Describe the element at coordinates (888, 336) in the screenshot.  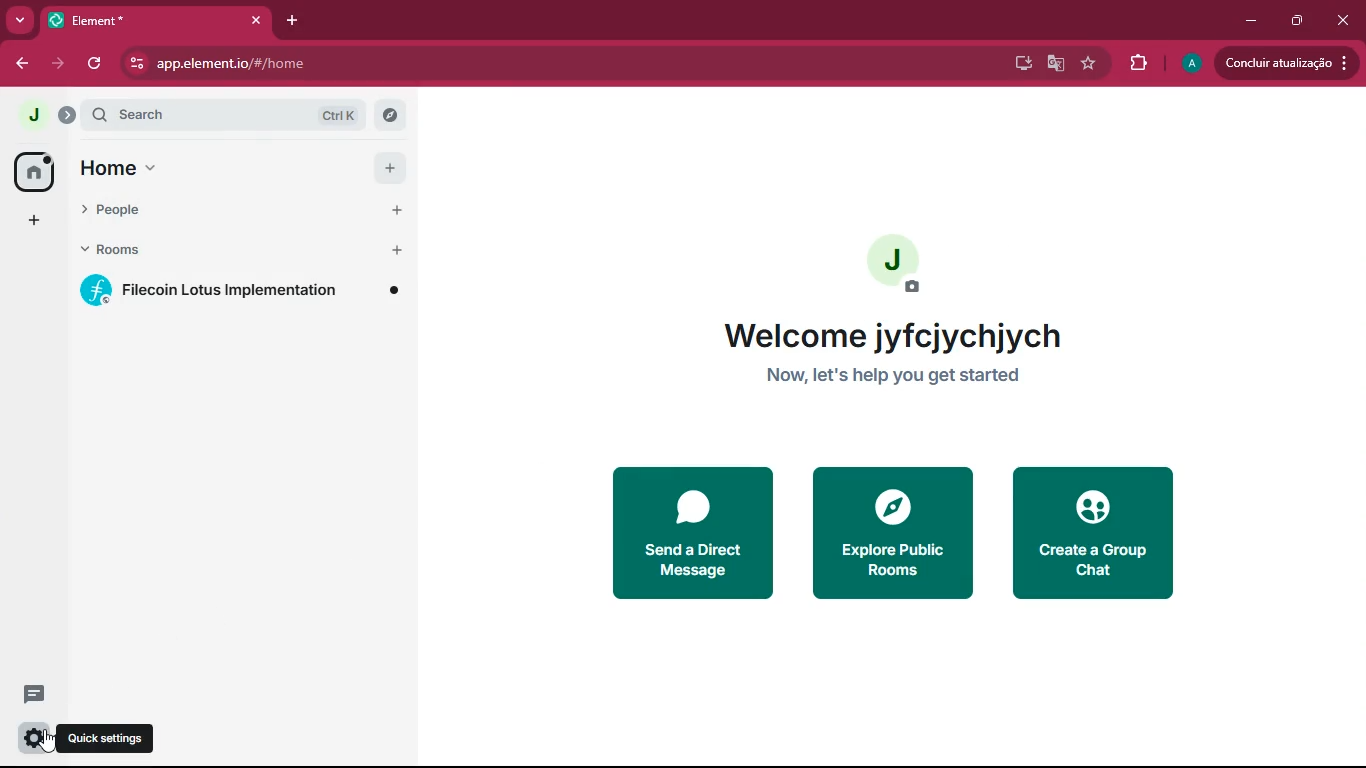
I see `welcome jyfcjychjych` at that location.